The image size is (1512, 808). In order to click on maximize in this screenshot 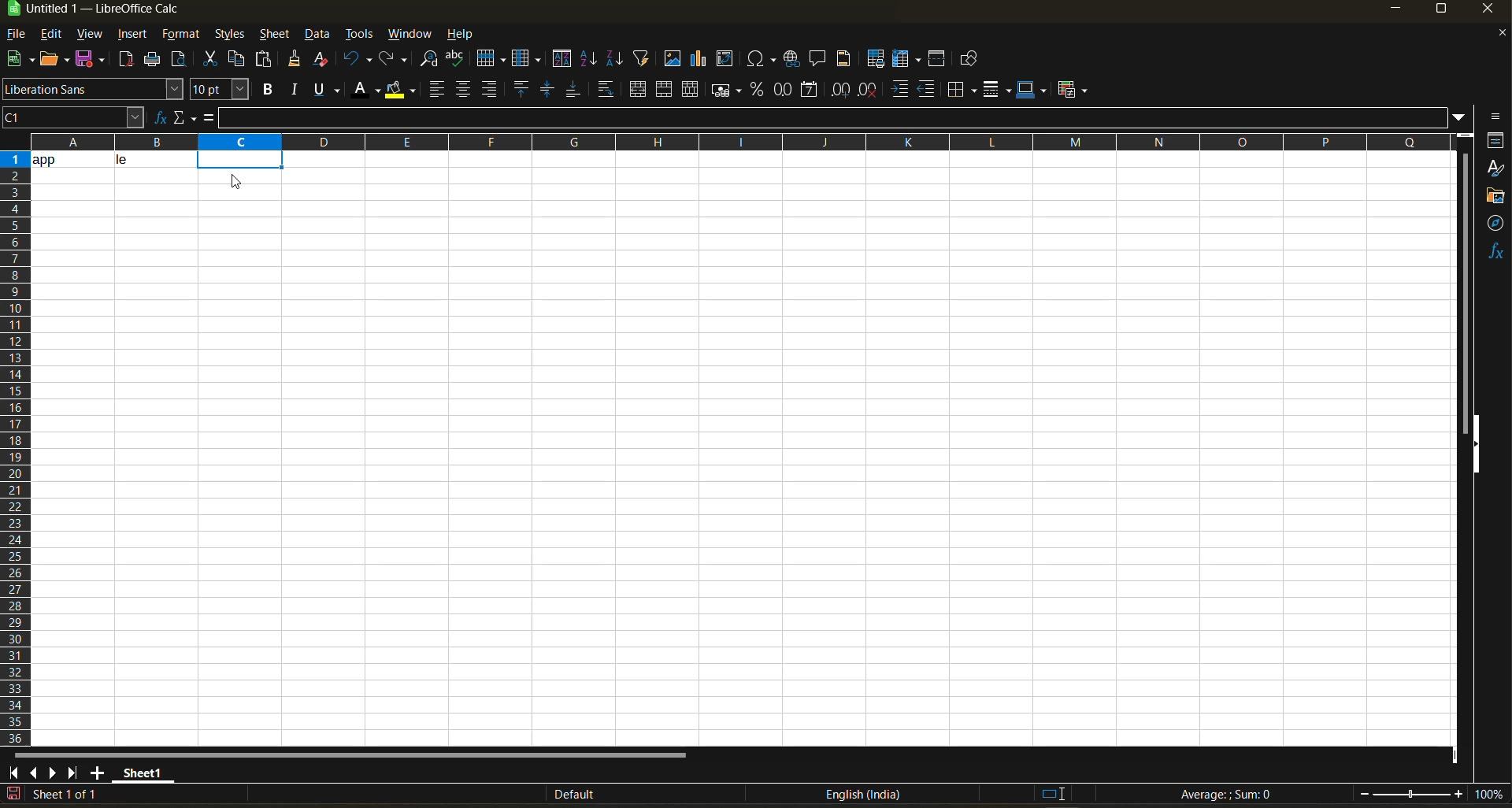, I will do `click(1440, 12)`.